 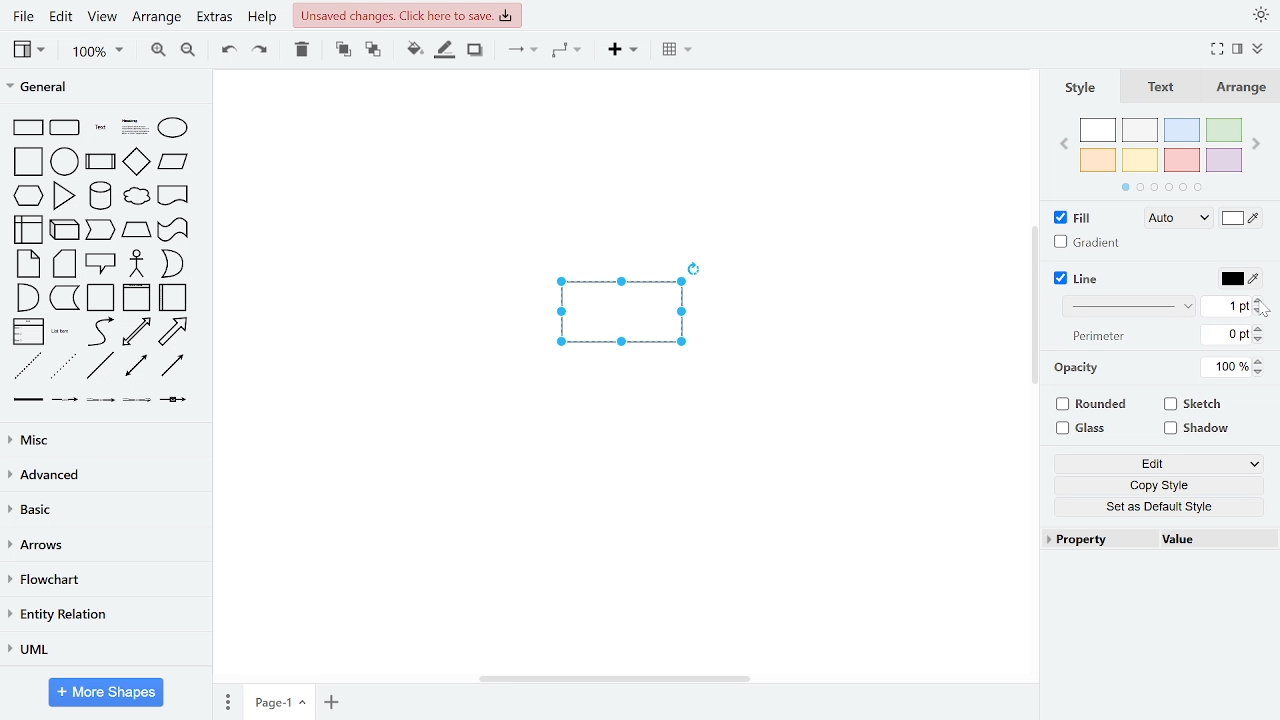 I want to click on basic, so click(x=102, y=511).